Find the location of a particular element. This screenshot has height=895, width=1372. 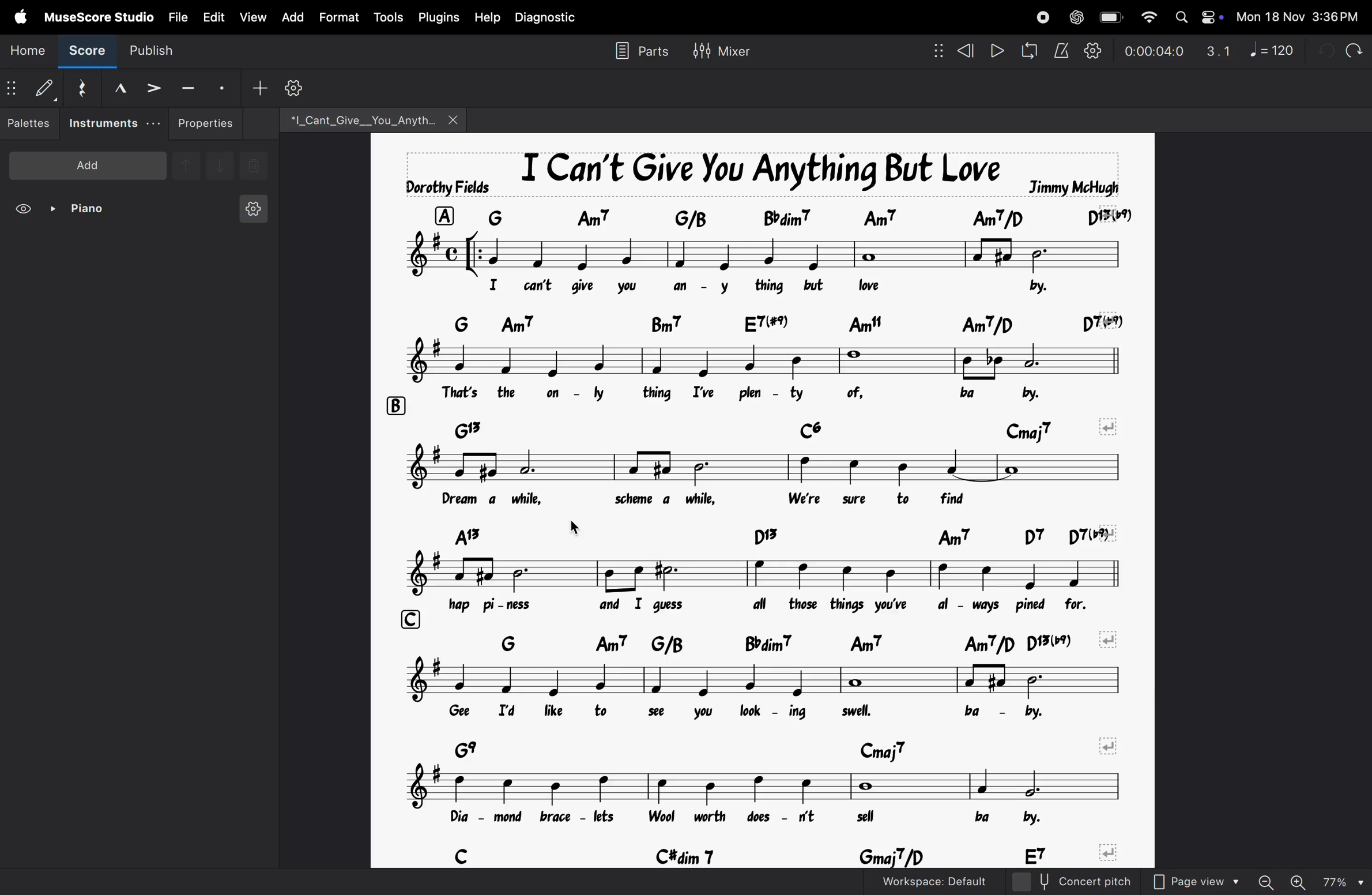

format is located at coordinates (339, 18).